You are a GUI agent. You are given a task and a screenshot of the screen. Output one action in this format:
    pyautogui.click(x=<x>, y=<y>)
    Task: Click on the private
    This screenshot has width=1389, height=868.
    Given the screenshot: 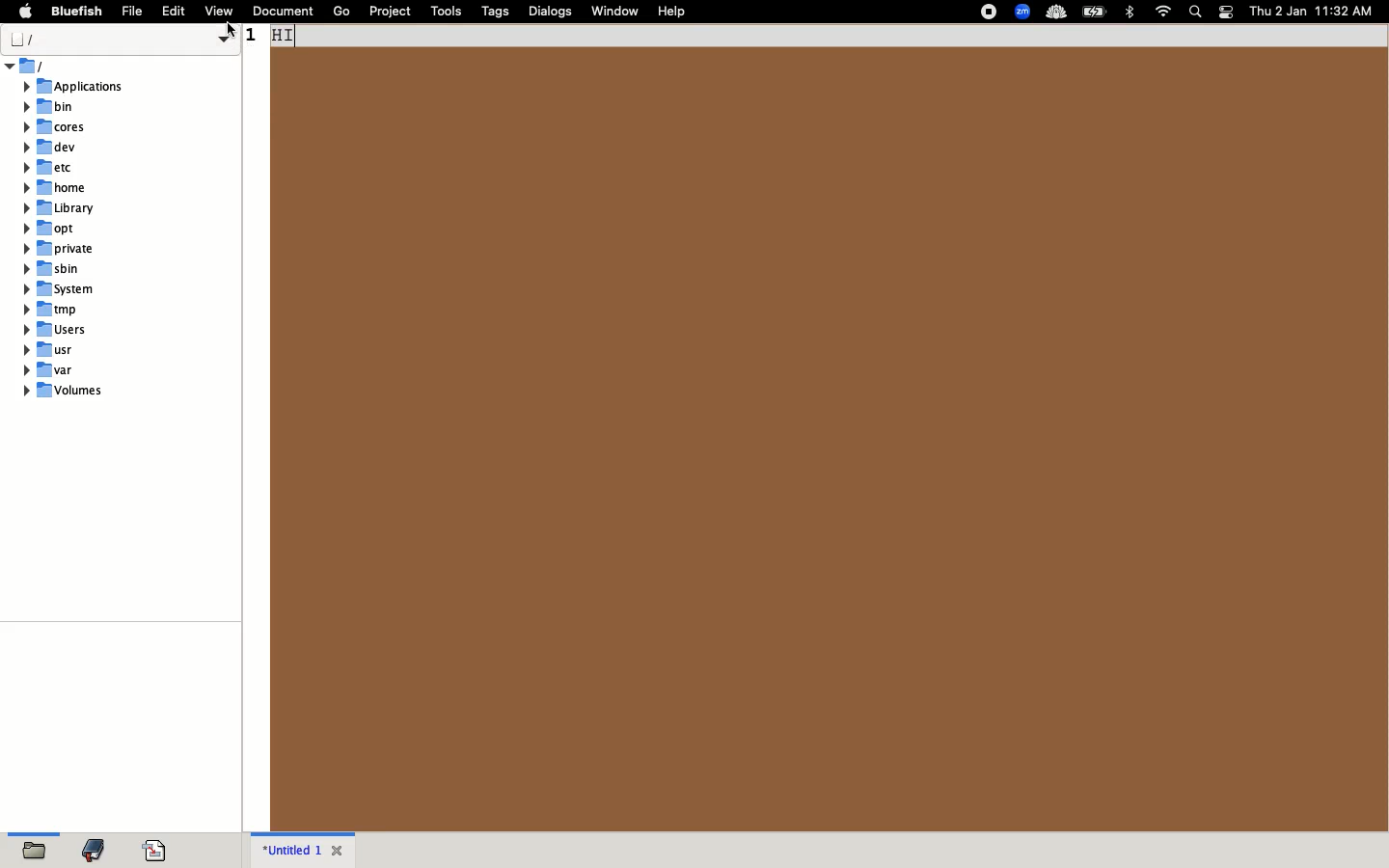 What is the action you would take?
    pyautogui.click(x=61, y=248)
    